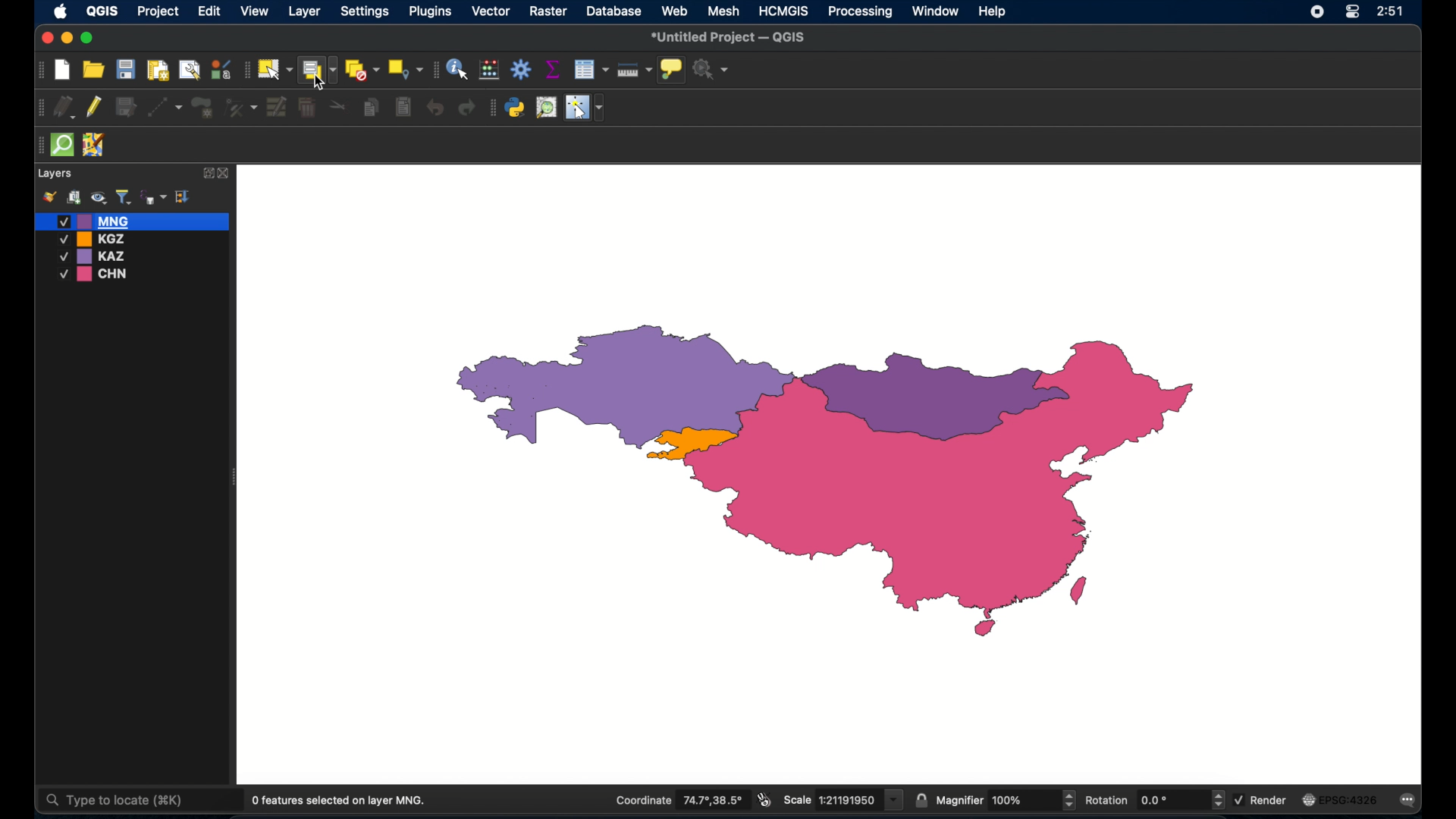 The width and height of the screenshot is (1456, 819). Describe the element at coordinates (338, 108) in the screenshot. I see `split features` at that location.